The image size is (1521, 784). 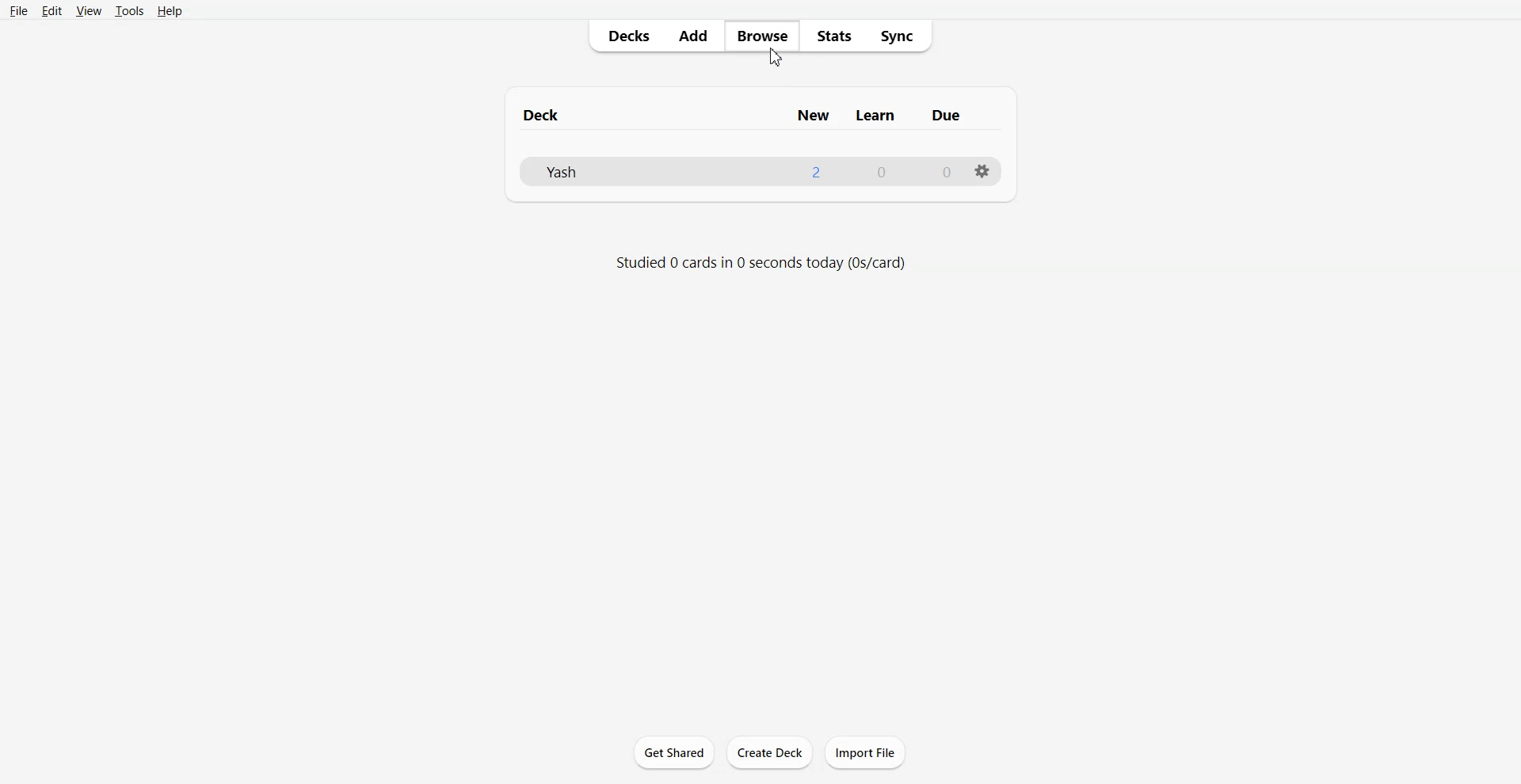 What do you see at coordinates (170, 12) in the screenshot?
I see `Help` at bounding box center [170, 12].